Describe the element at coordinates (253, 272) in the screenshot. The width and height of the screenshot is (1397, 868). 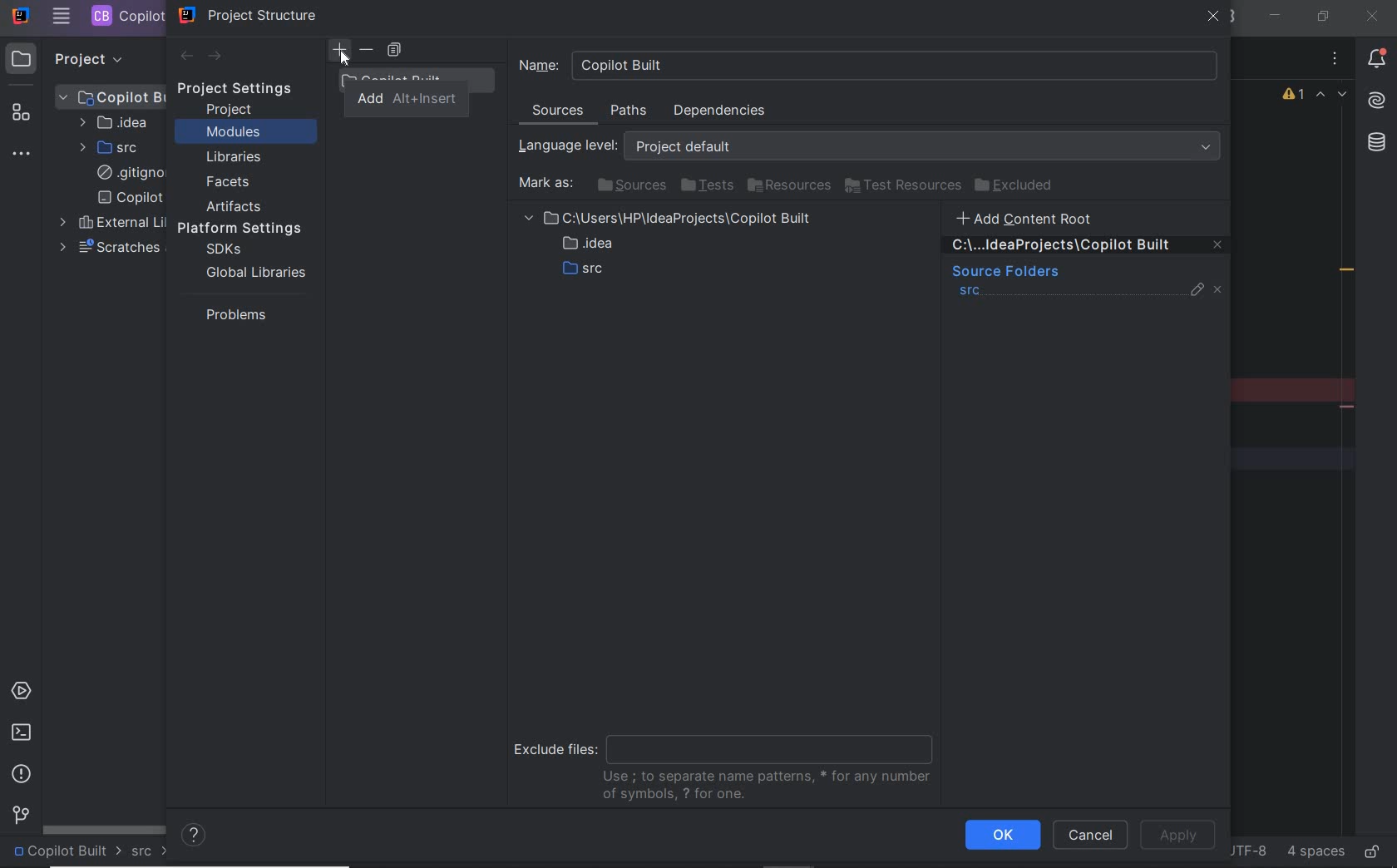
I see `global libraries` at that location.